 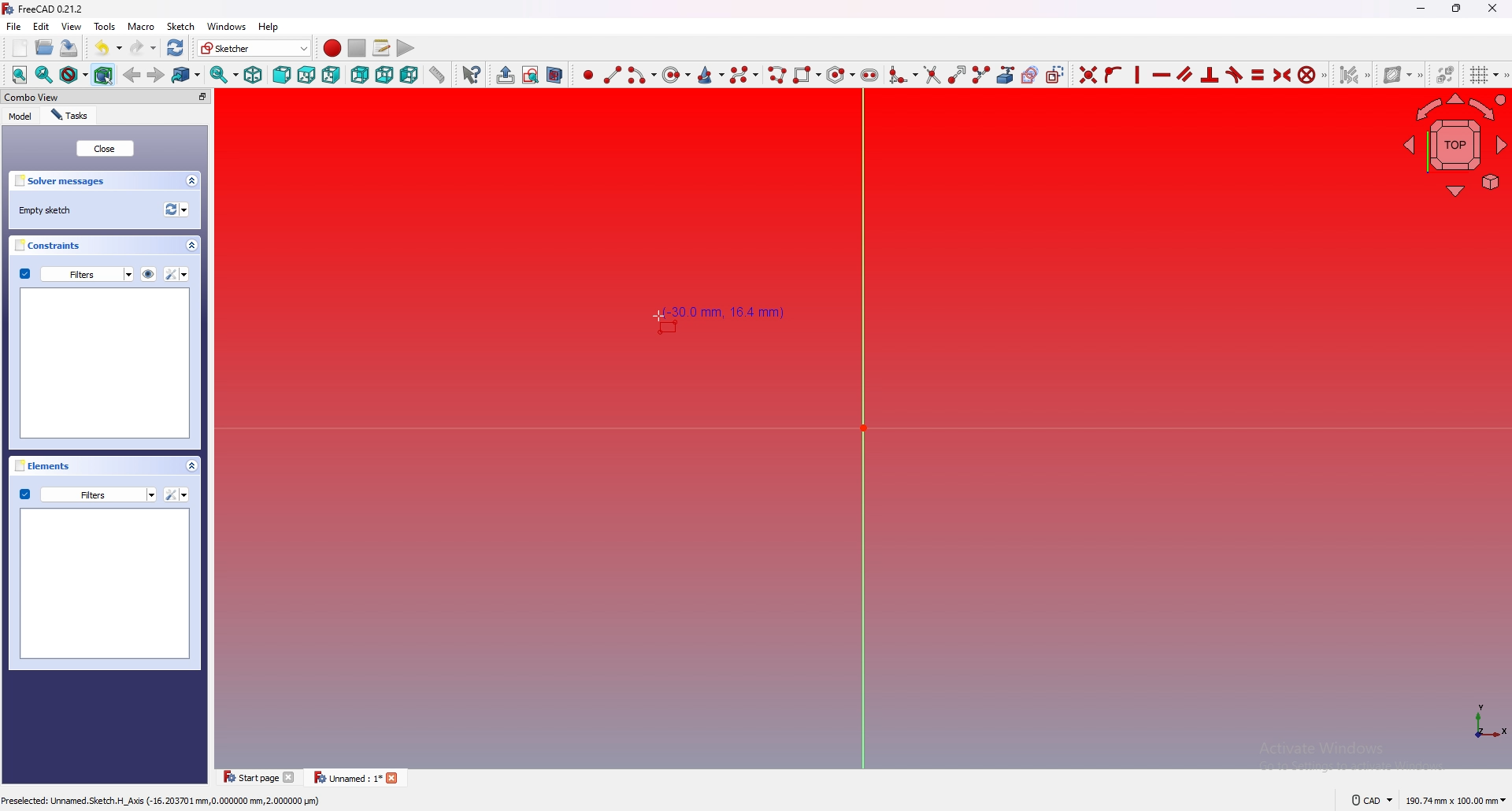 I want to click on create arc, so click(x=643, y=75).